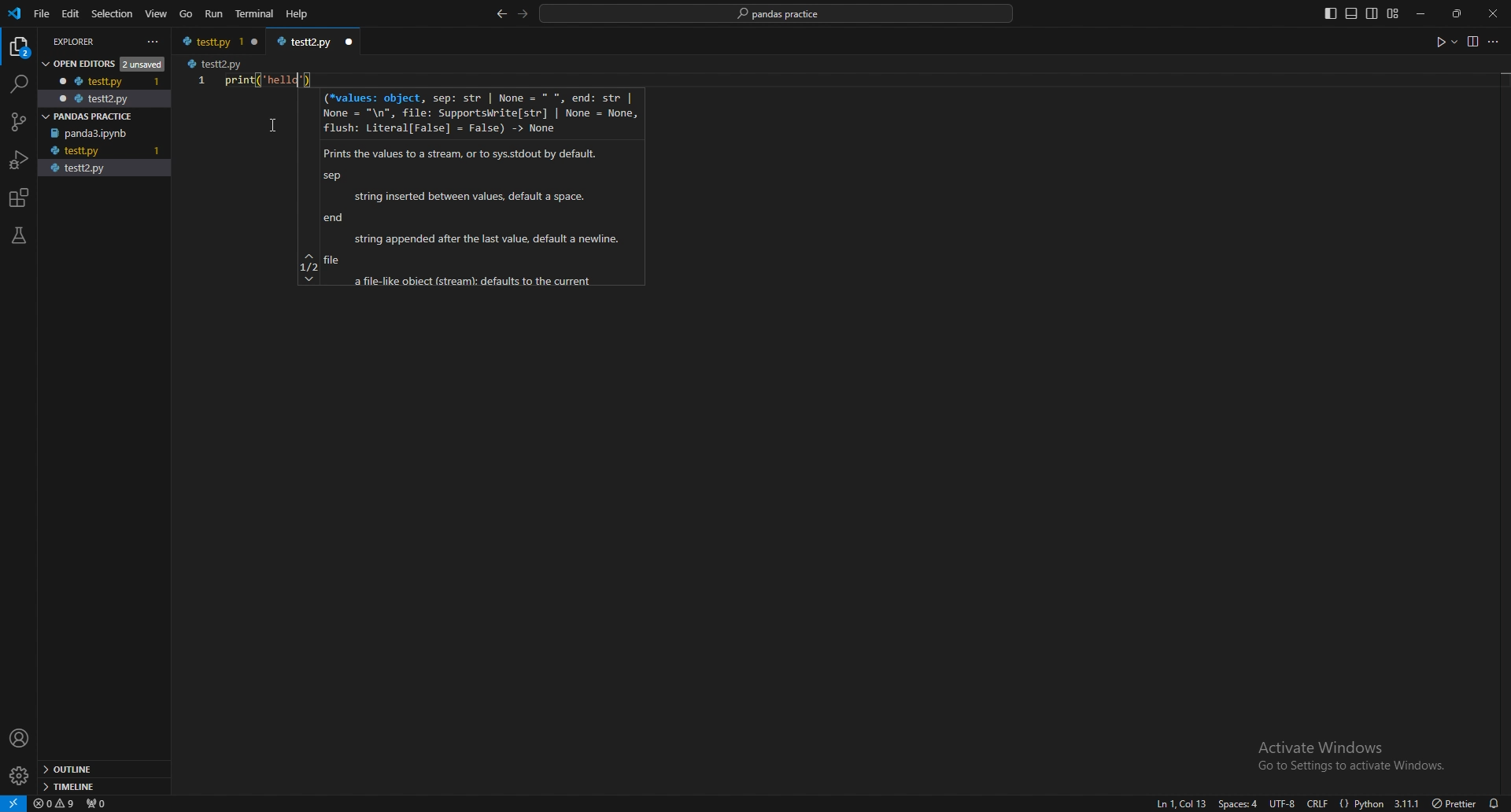 This screenshot has height=812, width=1511. Describe the element at coordinates (1319, 803) in the screenshot. I see `crlf` at that location.